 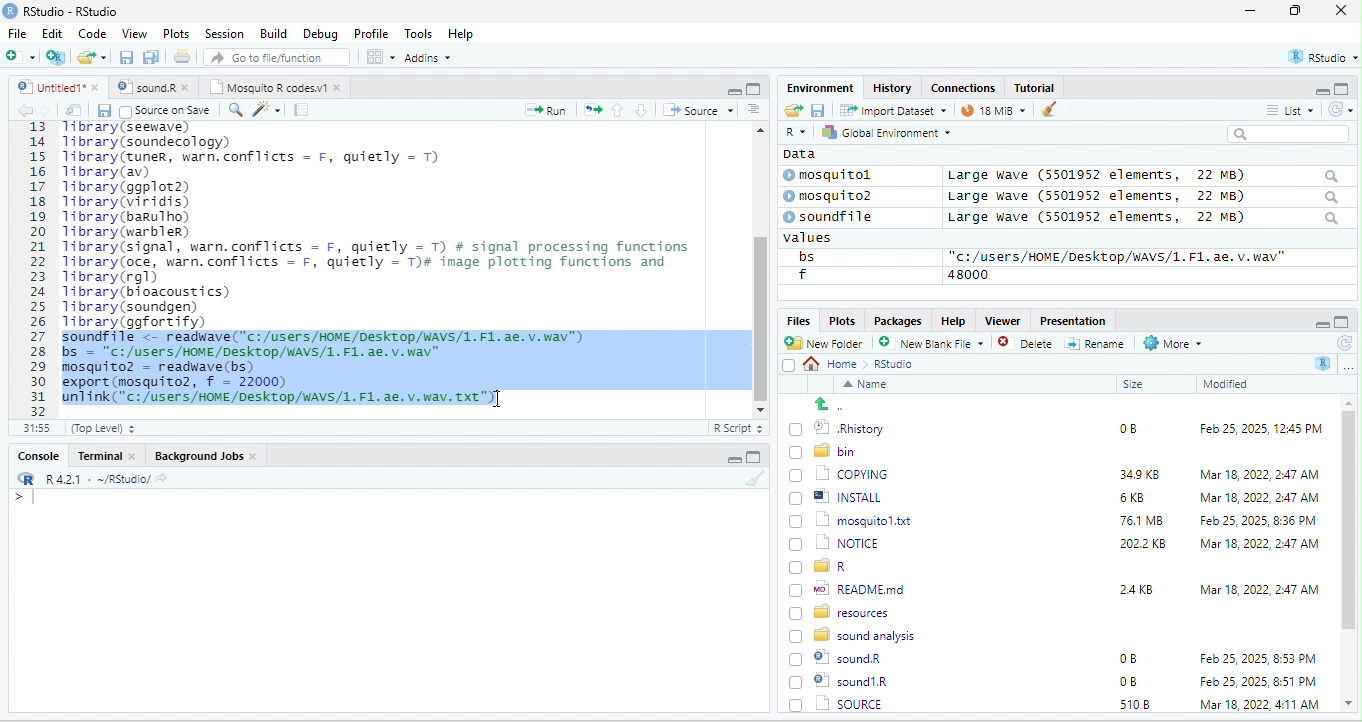 I want to click on Ld bin, so click(x=825, y=450).